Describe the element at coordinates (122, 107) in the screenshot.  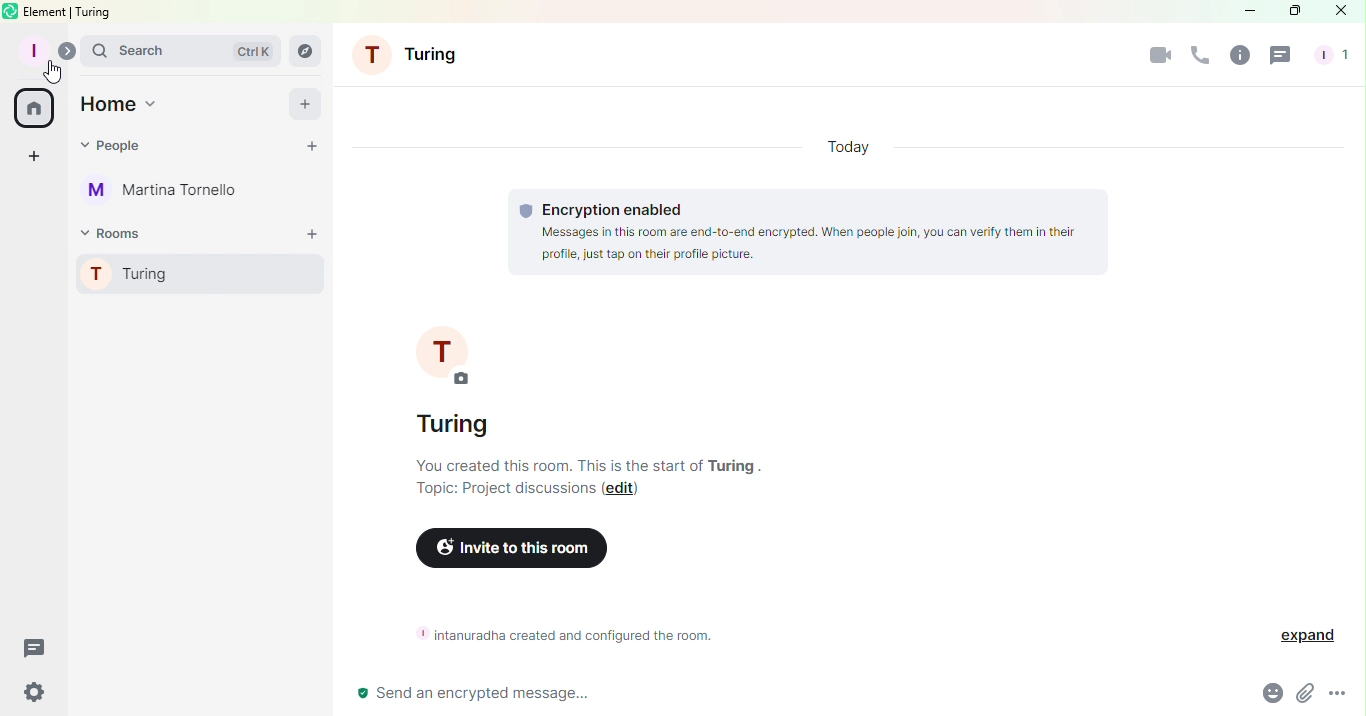
I see `Home` at that location.